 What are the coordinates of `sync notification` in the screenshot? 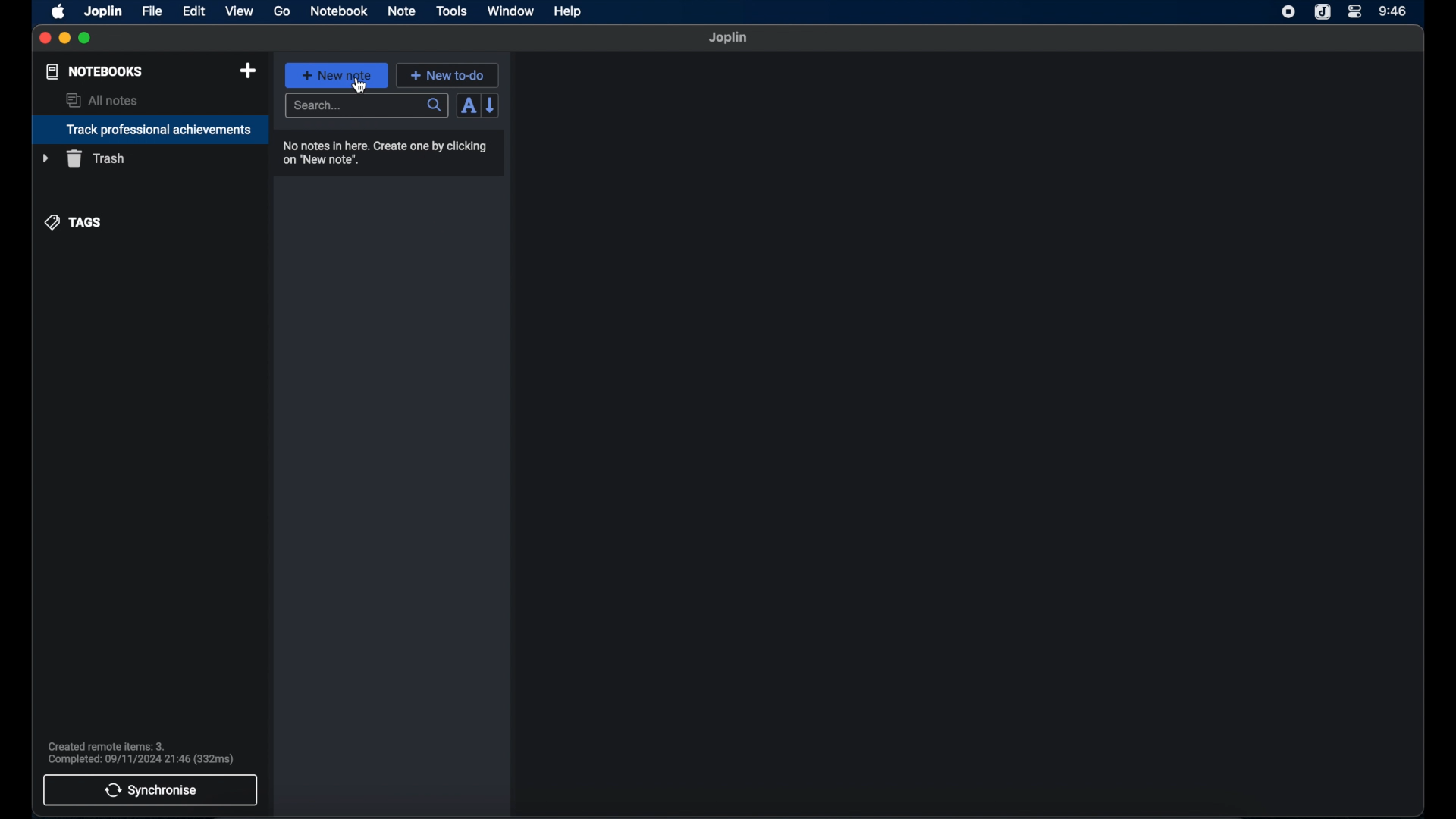 It's located at (140, 753).